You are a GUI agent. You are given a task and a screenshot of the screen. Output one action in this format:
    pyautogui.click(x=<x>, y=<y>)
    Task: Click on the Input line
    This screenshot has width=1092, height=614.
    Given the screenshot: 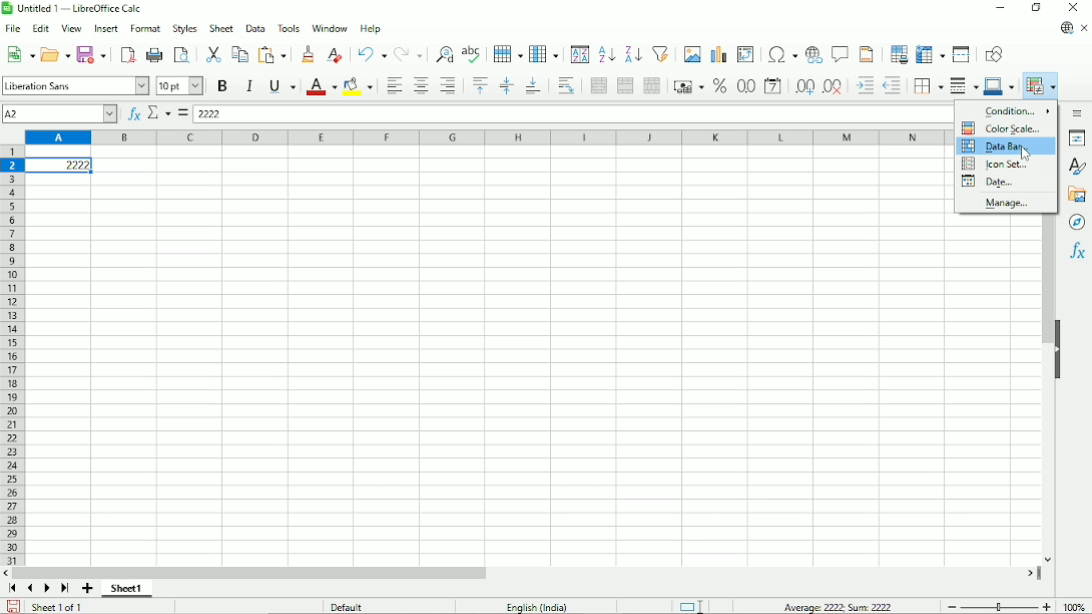 What is the action you would take?
    pyautogui.click(x=571, y=114)
    